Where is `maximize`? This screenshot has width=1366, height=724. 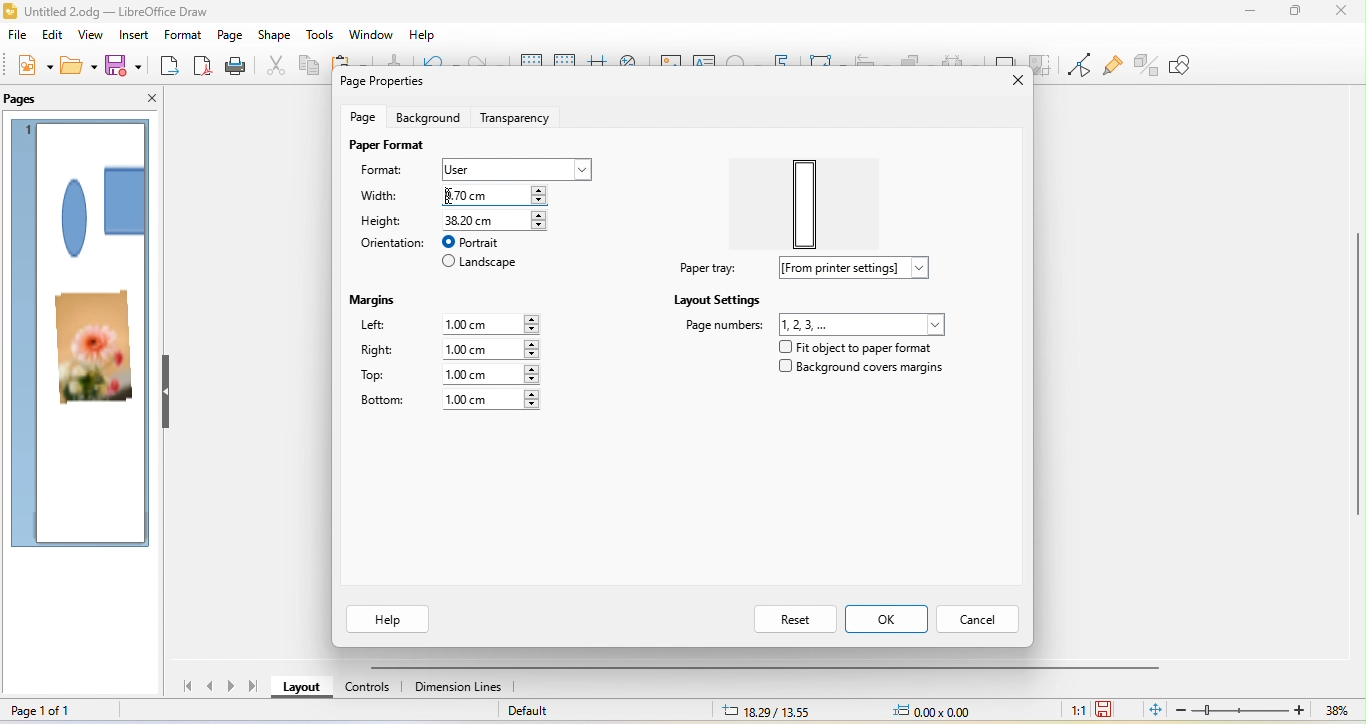
maximize is located at coordinates (1294, 16).